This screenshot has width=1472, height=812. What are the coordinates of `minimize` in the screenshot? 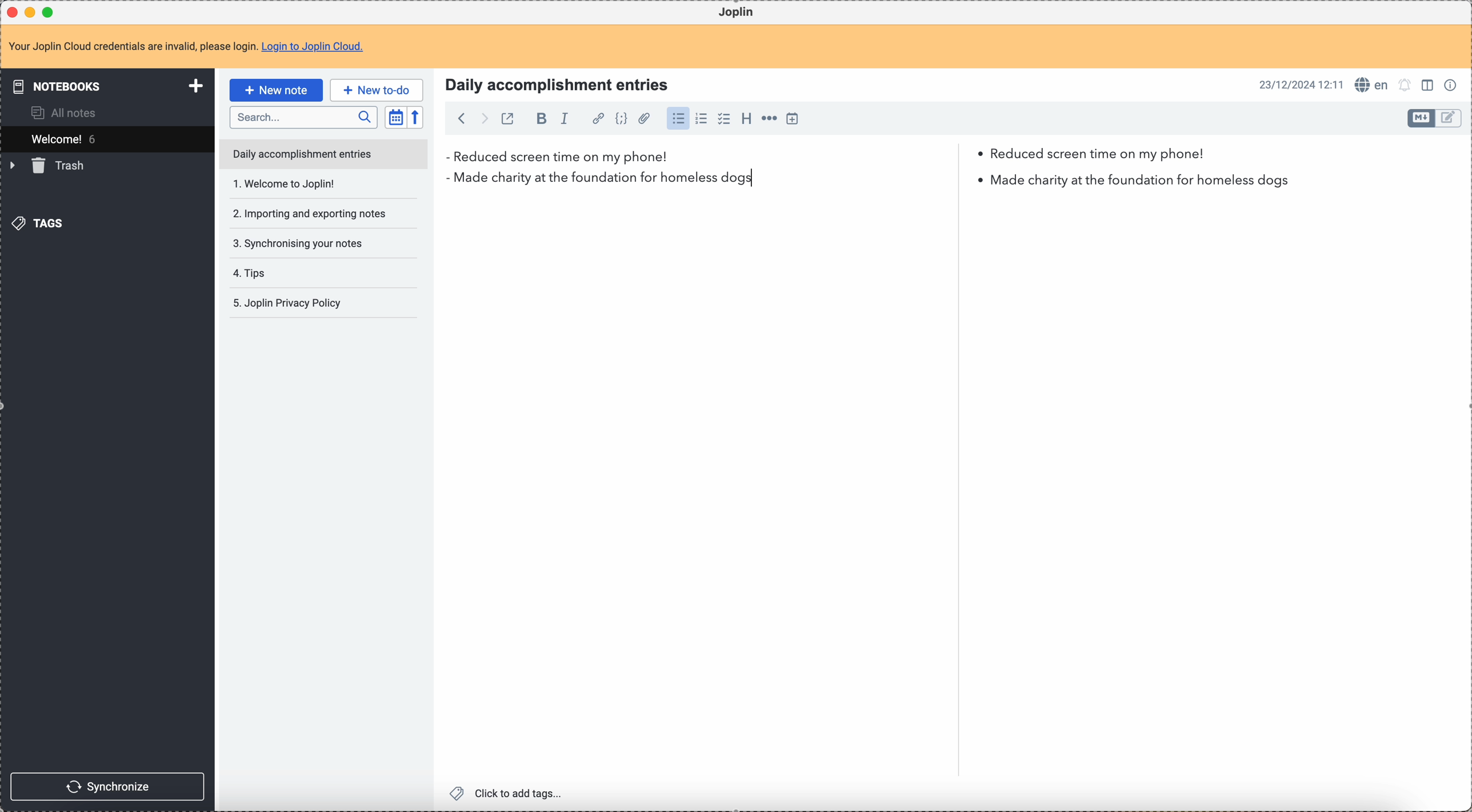 It's located at (33, 11).